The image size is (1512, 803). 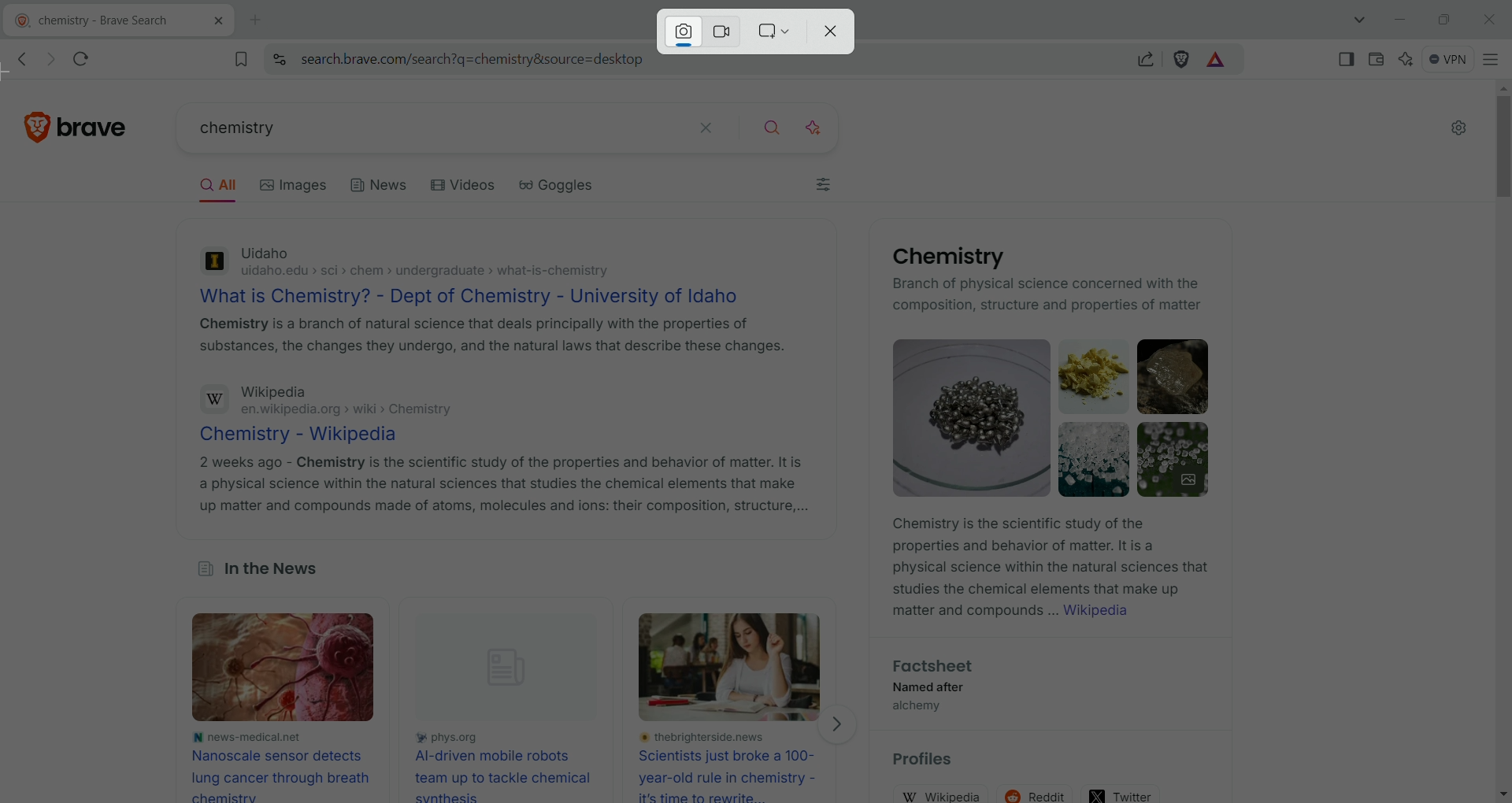 I want to click on reload, so click(x=87, y=56).